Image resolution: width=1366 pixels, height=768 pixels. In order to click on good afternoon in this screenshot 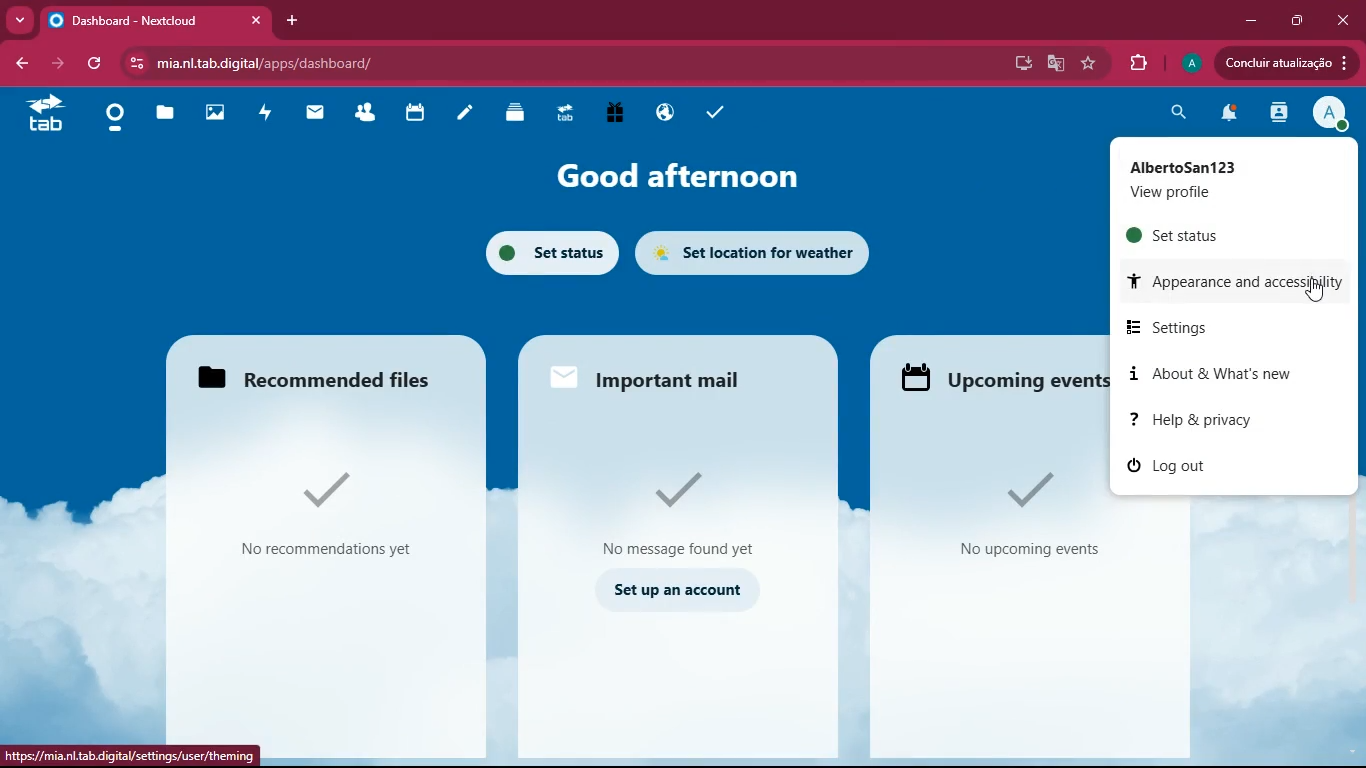, I will do `click(682, 174)`.